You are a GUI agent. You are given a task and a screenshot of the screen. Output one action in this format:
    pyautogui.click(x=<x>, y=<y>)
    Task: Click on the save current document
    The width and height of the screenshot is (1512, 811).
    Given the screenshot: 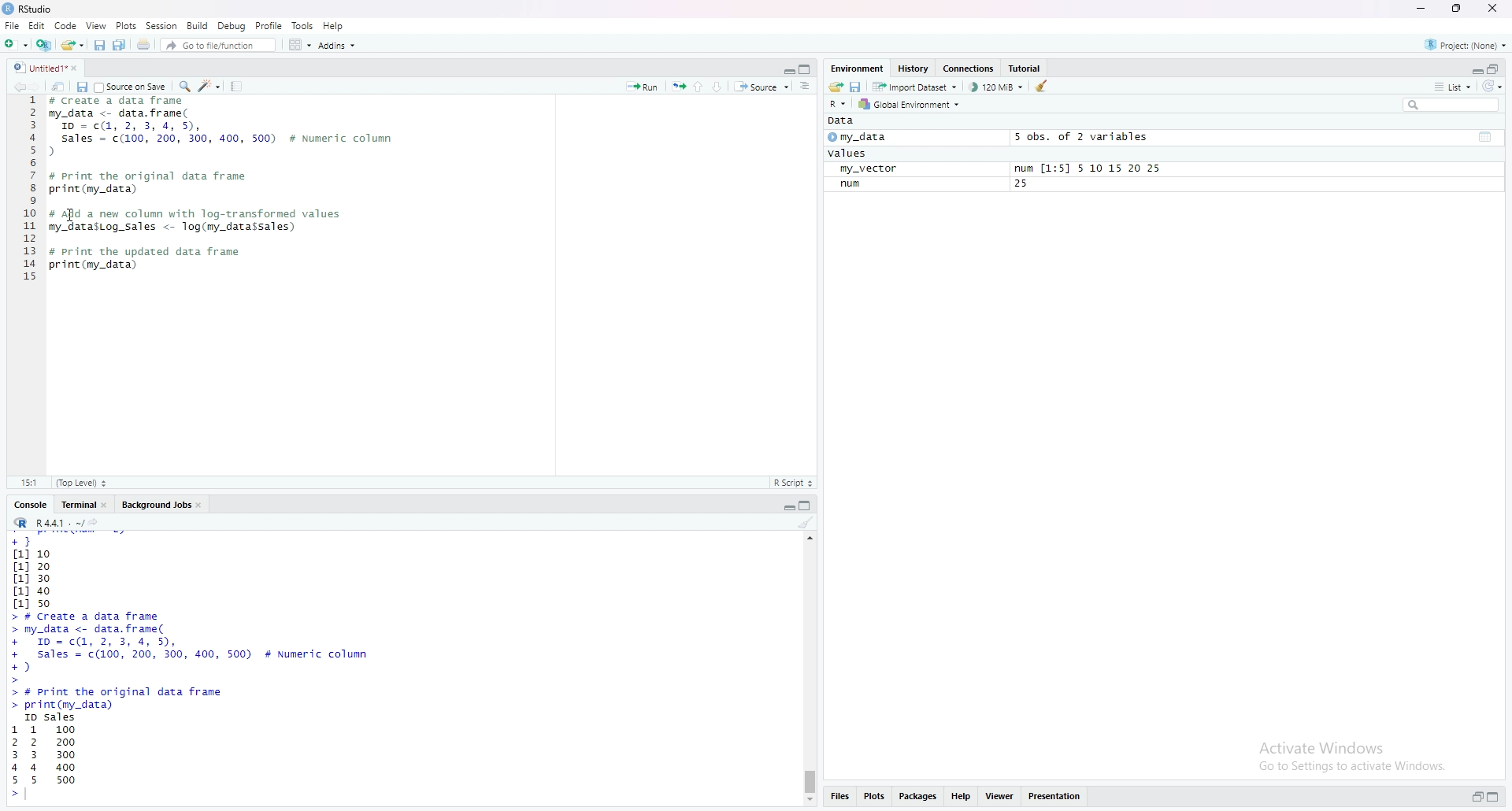 What is the action you would take?
    pyautogui.click(x=83, y=87)
    